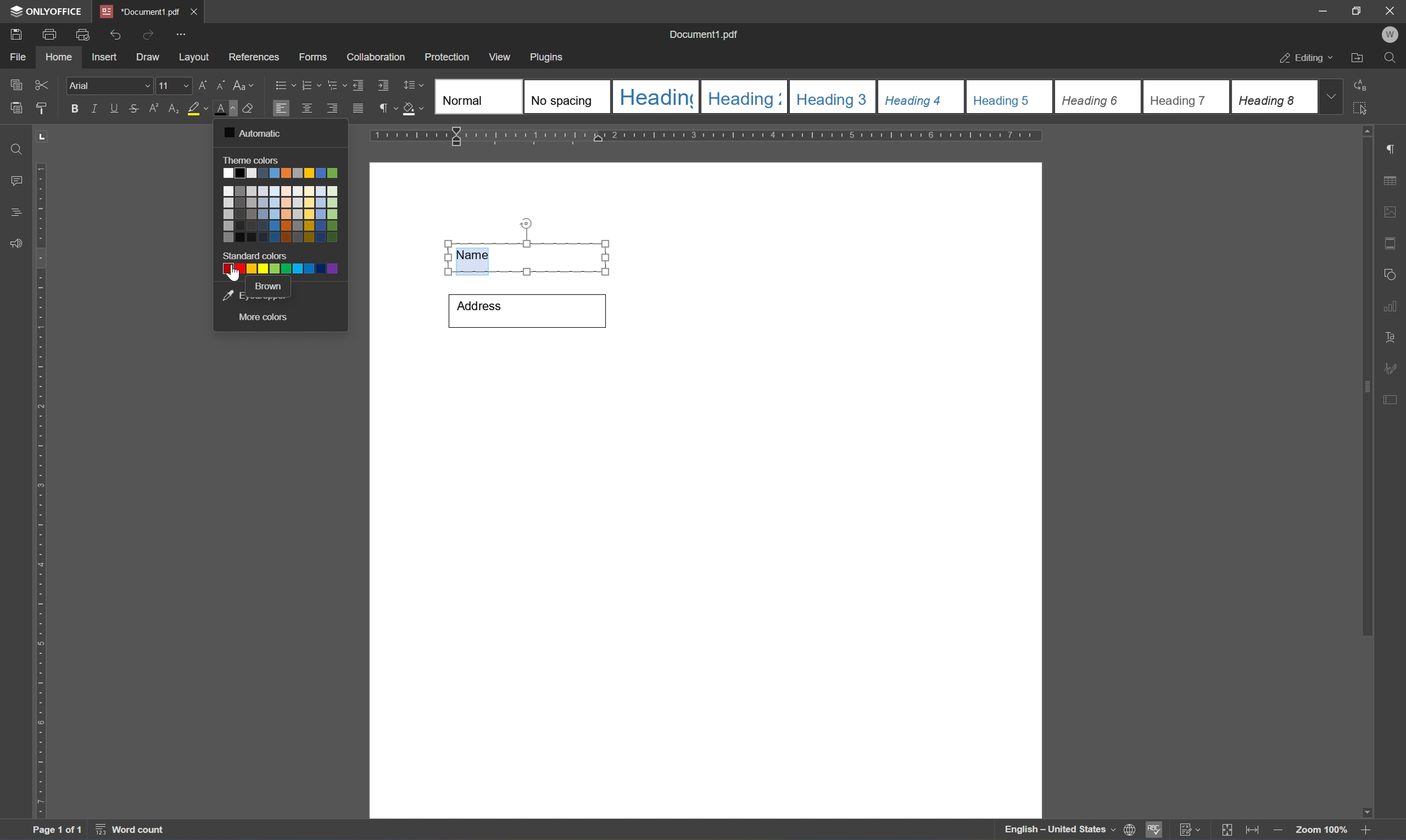 The height and width of the screenshot is (840, 1406). I want to click on view, so click(502, 56).